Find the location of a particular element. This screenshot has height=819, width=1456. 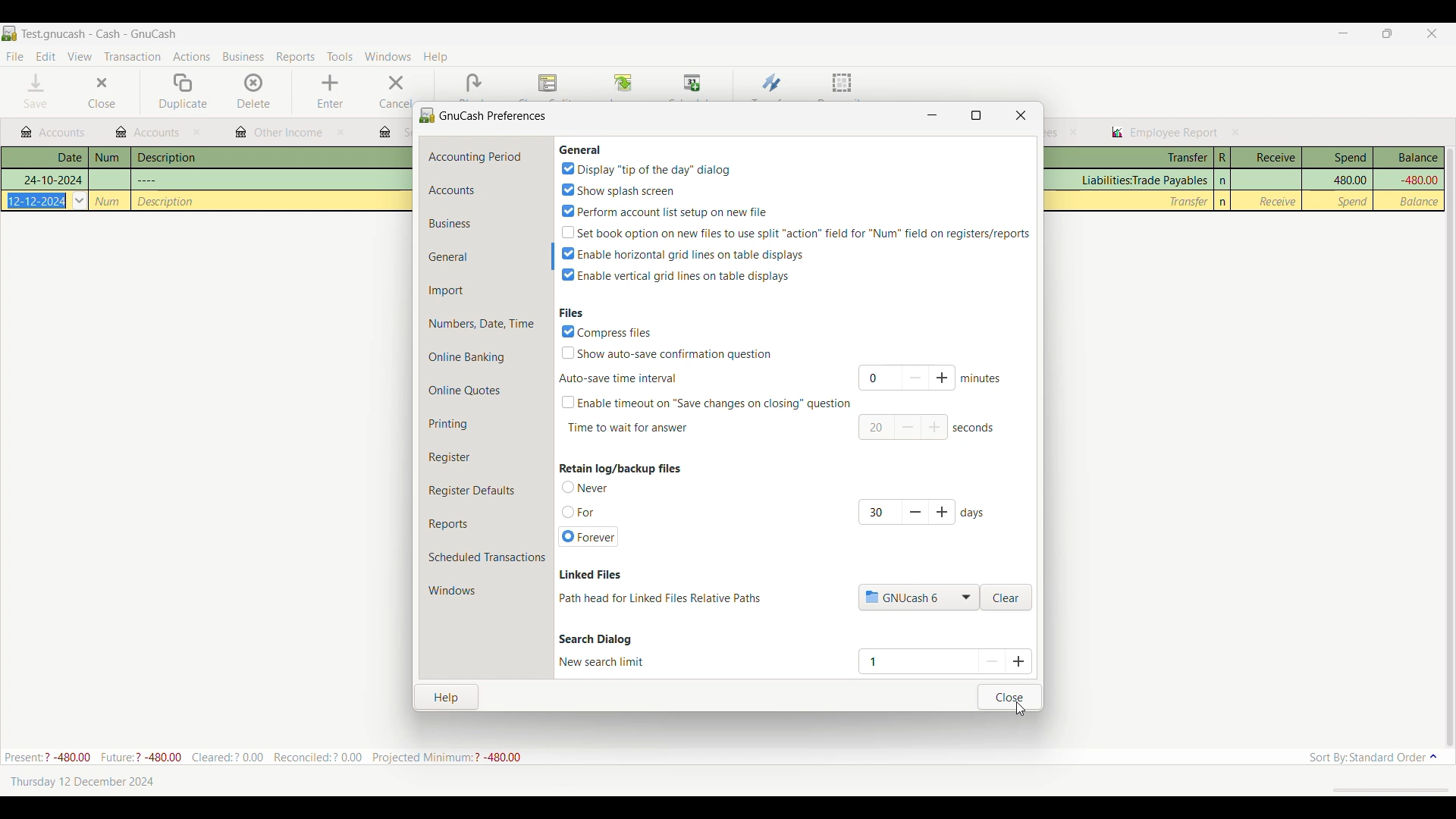

Tools menu is located at coordinates (340, 56).